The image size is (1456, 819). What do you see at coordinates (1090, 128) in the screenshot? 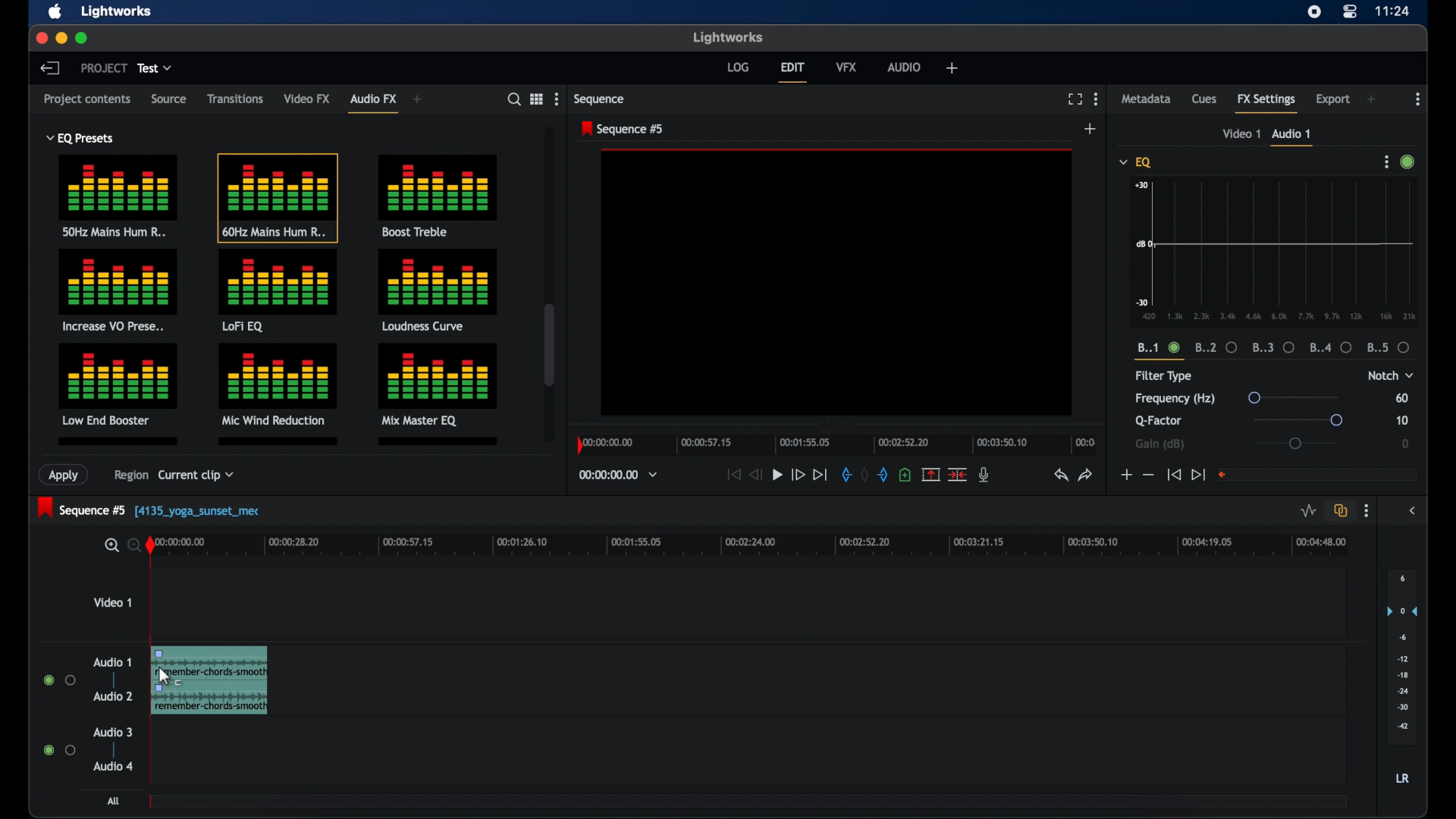
I see `add` at bounding box center [1090, 128].